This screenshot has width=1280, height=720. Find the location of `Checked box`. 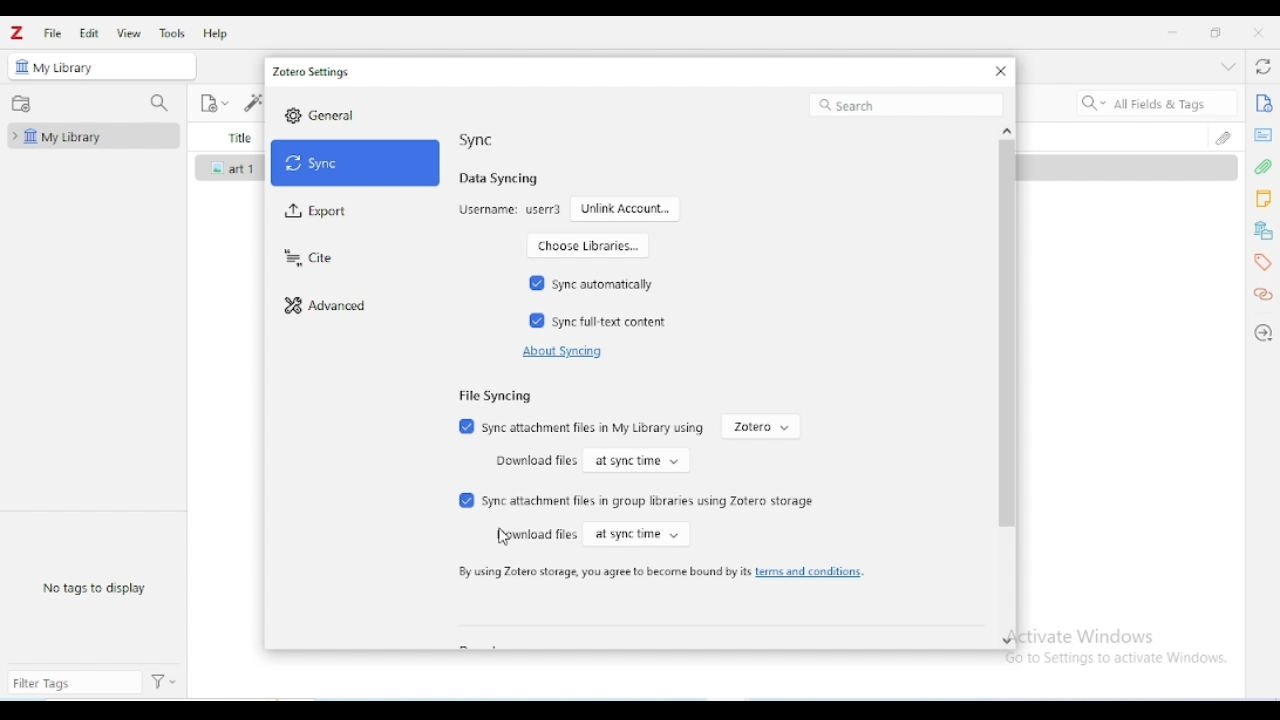

Checked box is located at coordinates (538, 282).